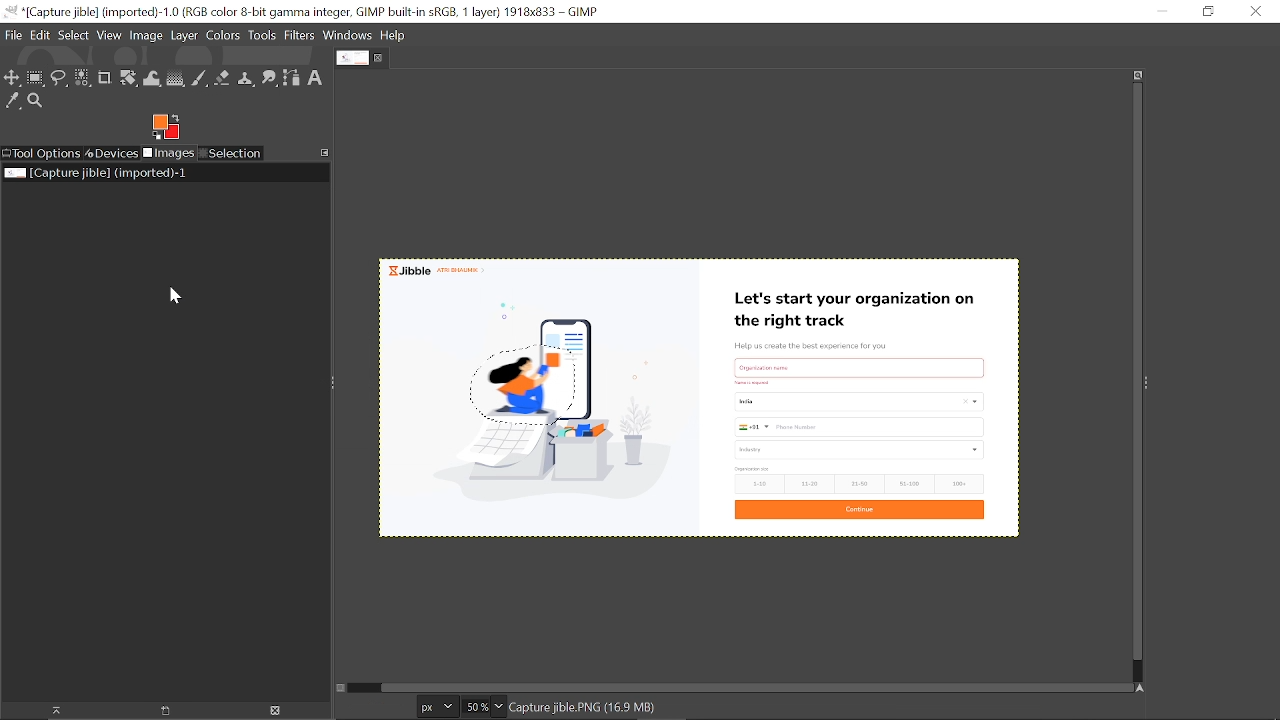 This screenshot has width=1280, height=720. Describe the element at coordinates (270, 79) in the screenshot. I see `Smudge tool` at that location.